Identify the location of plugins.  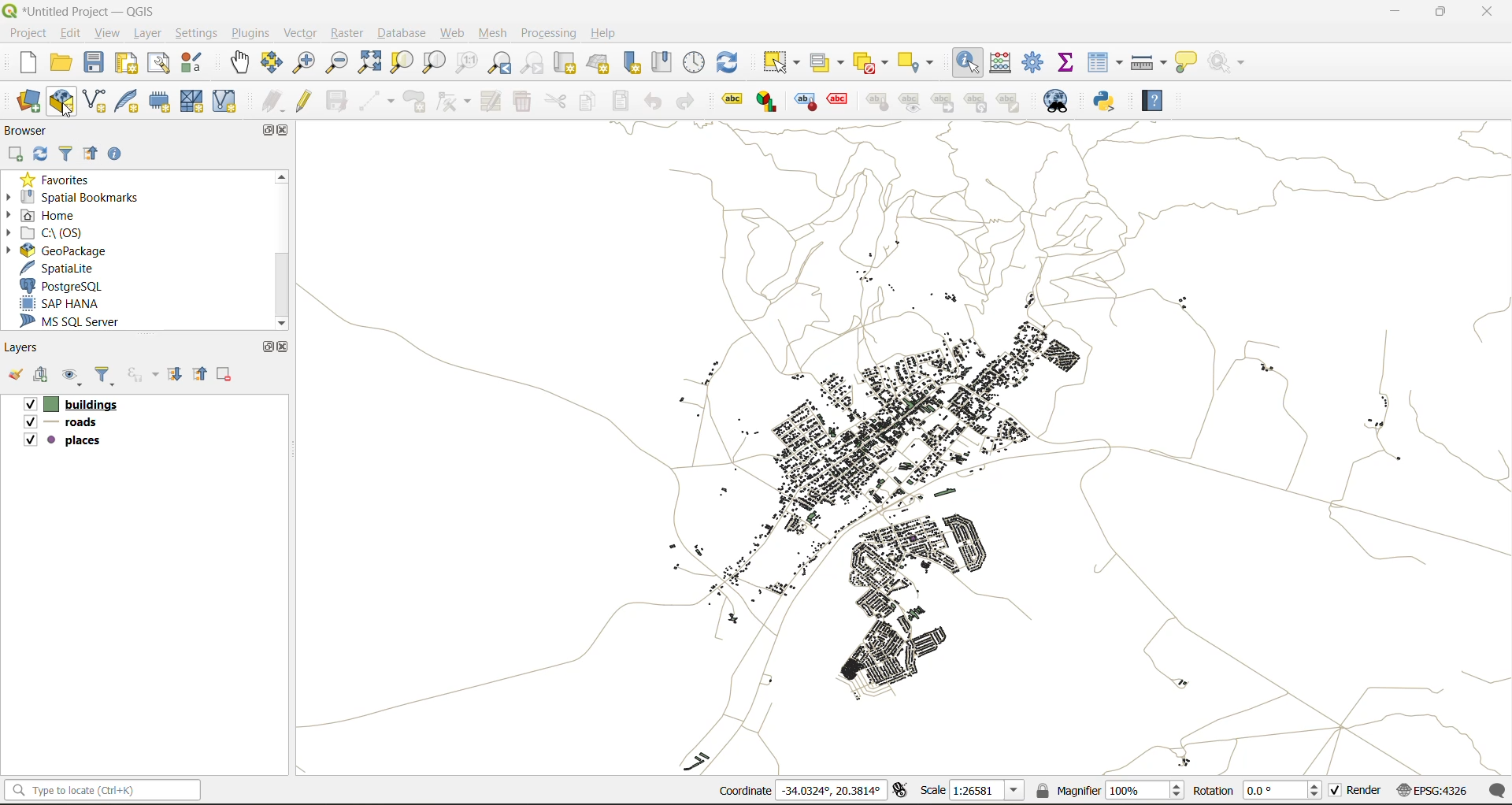
(250, 33).